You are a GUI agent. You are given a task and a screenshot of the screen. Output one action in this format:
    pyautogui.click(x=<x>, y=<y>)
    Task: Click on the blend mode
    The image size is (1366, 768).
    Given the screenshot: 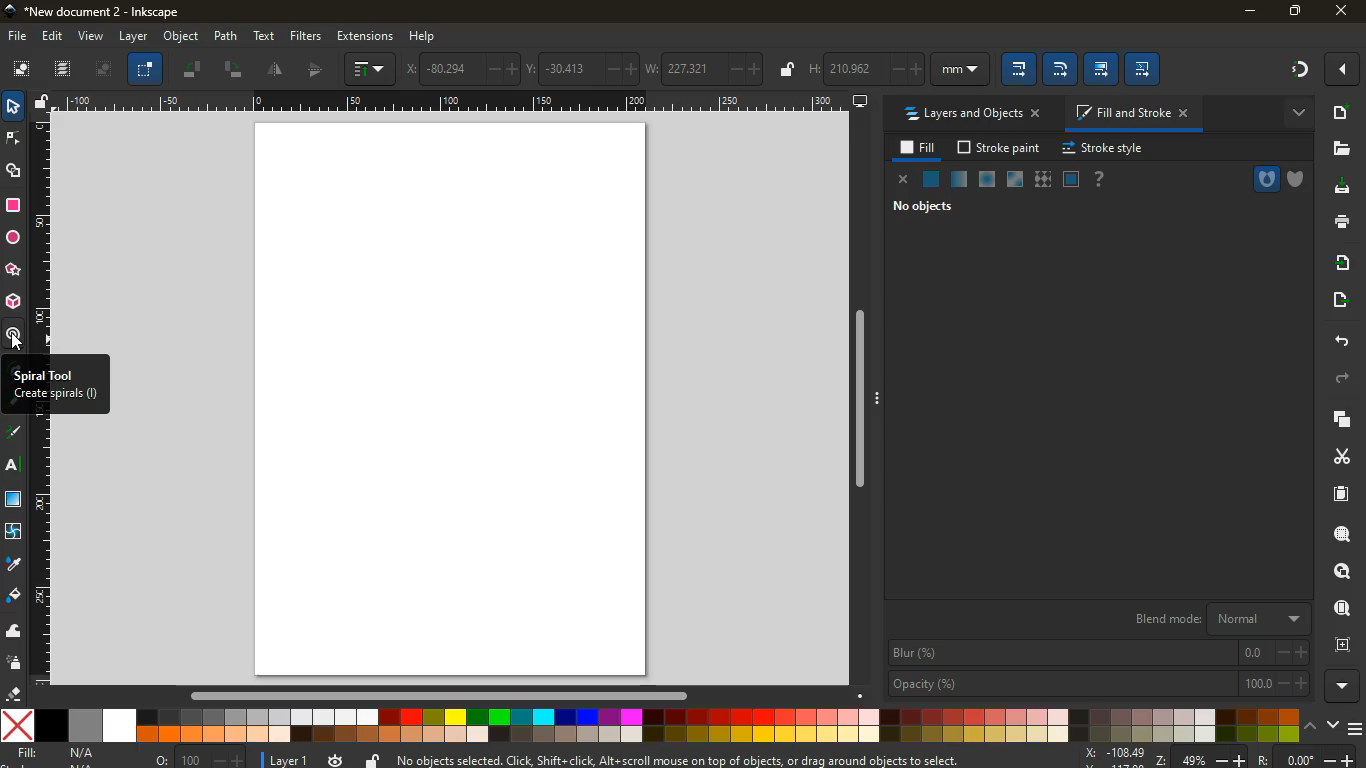 What is the action you would take?
    pyautogui.click(x=1211, y=620)
    